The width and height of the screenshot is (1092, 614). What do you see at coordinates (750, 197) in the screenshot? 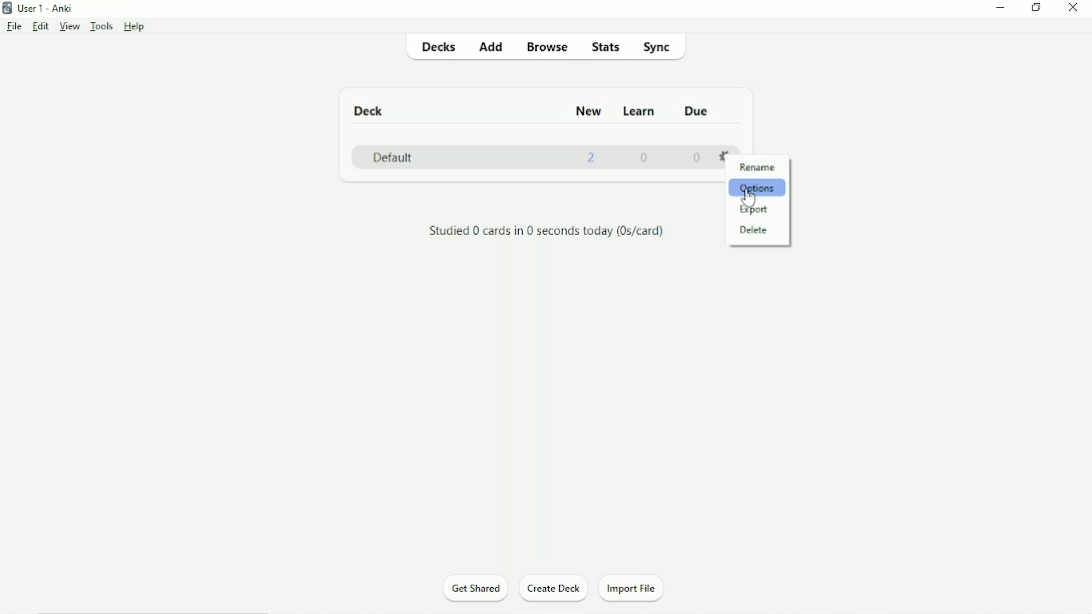
I see `Cursor` at bounding box center [750, 197].